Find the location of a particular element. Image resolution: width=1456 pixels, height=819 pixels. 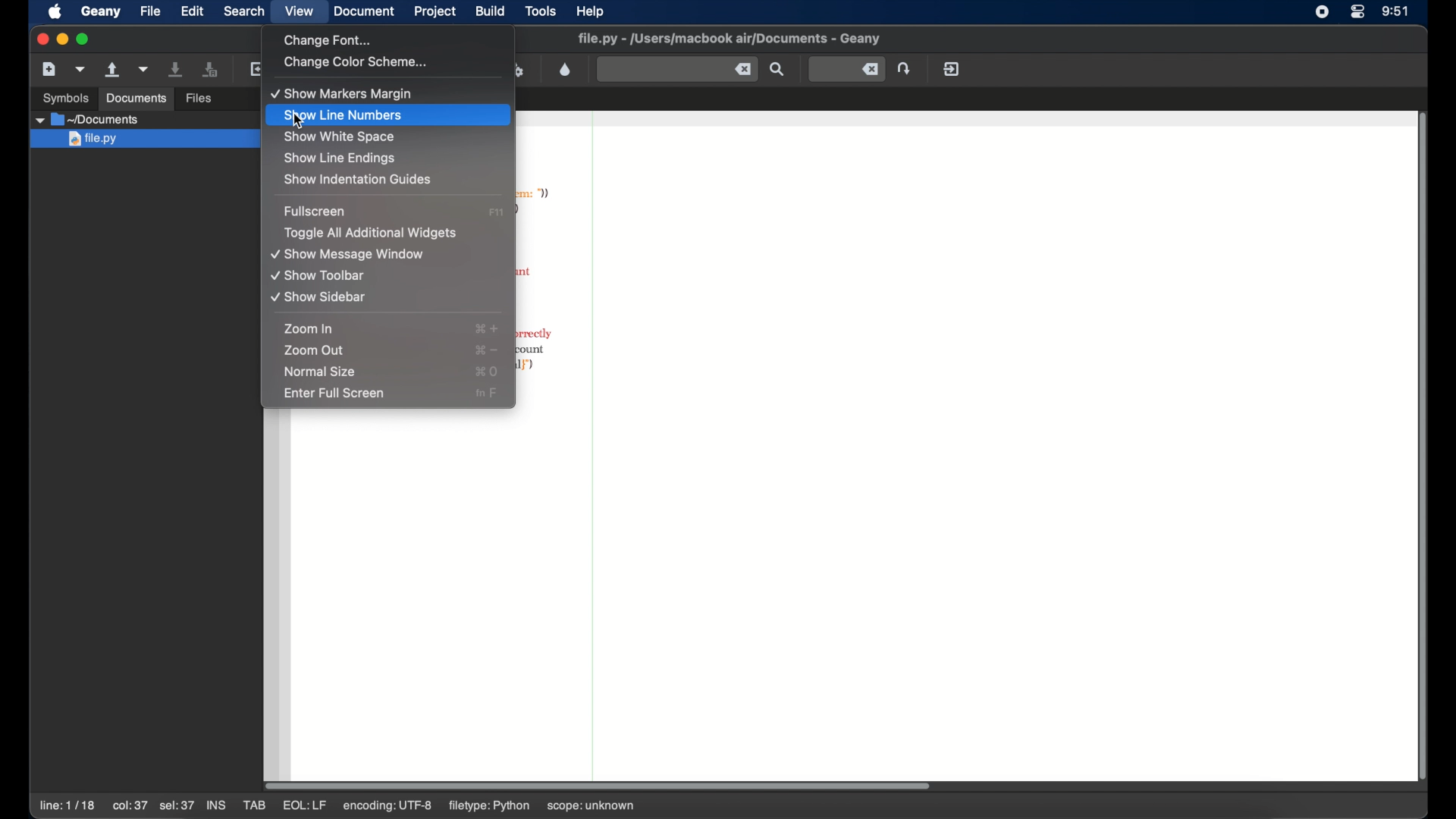

reload current file from disk is located at coordinates (258, 69).